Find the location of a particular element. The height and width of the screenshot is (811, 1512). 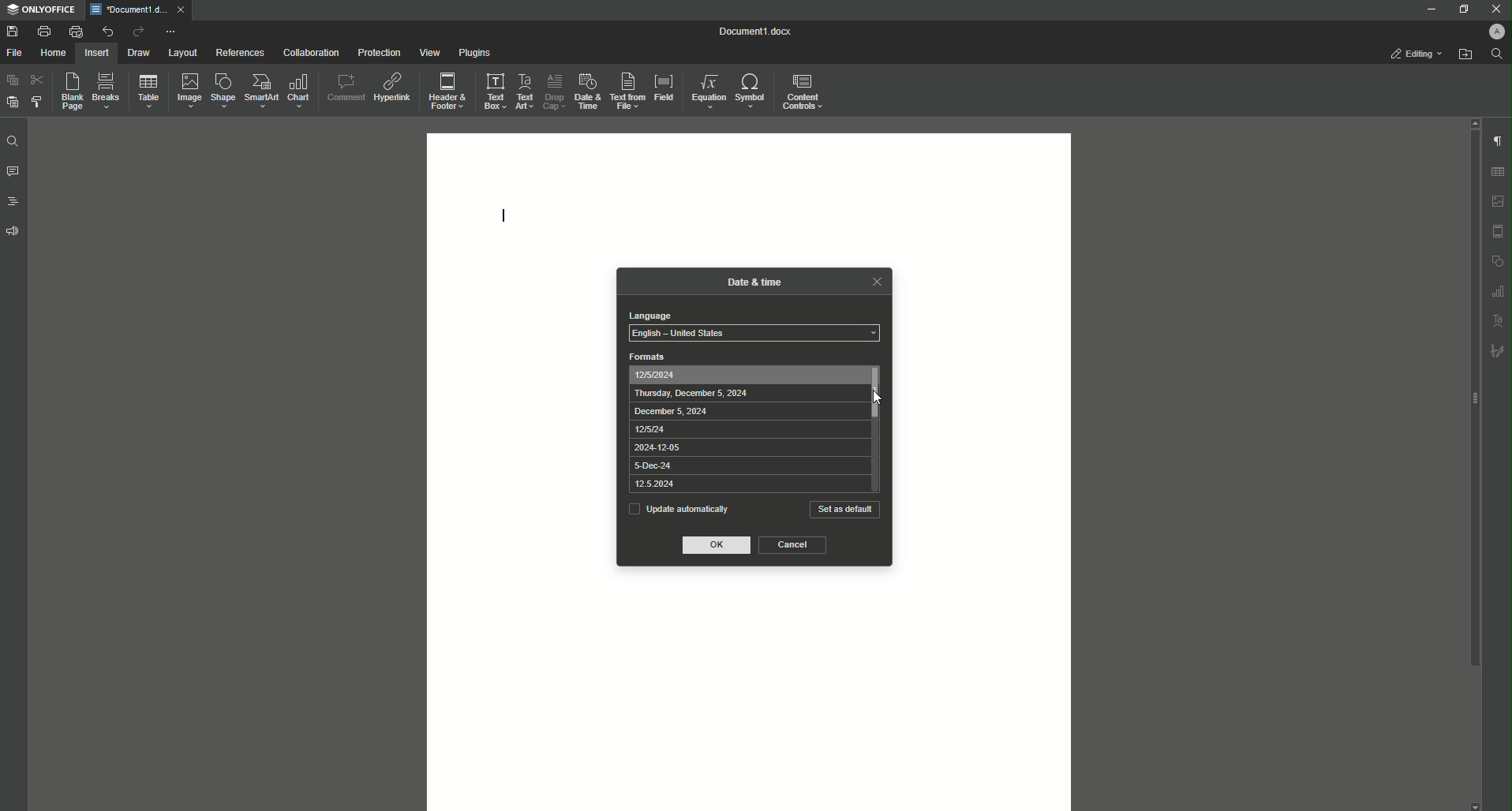

*Document1.docx is located at coordinates (128, 9).